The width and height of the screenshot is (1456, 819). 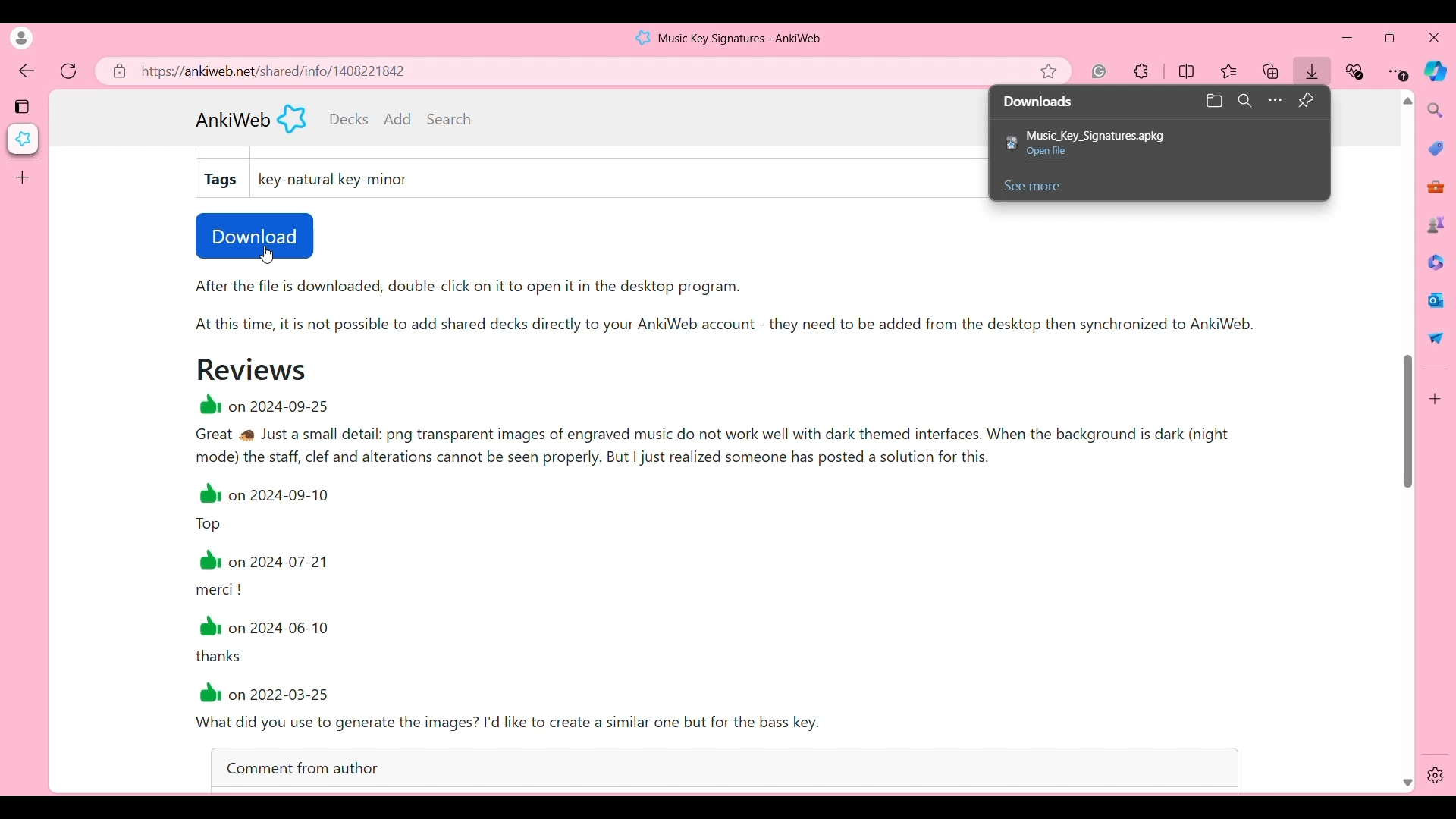 I want to click on Games, so click(x=1436, y=224).